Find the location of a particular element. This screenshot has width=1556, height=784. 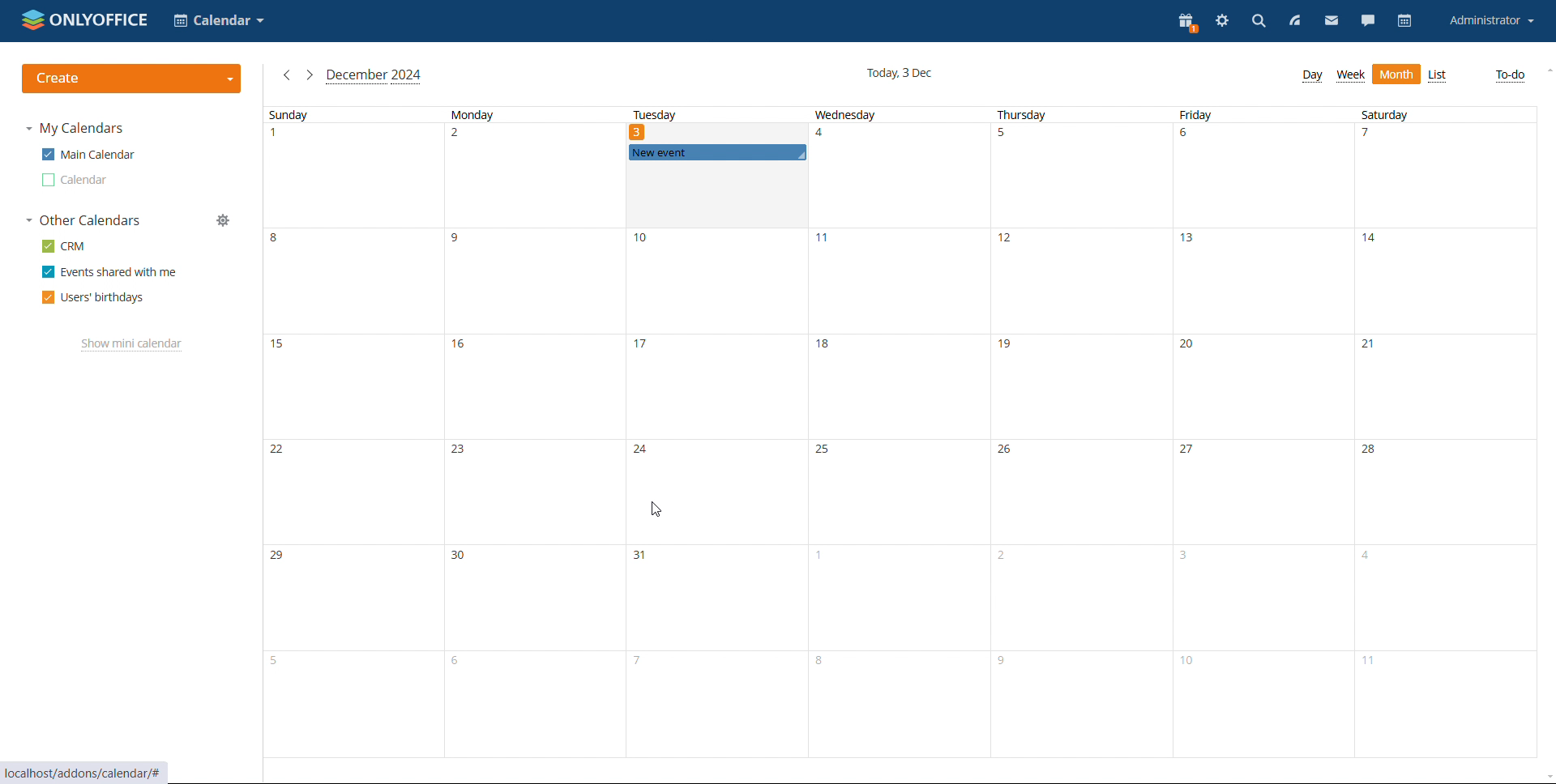

day view is located at coordinates (1312, 76).